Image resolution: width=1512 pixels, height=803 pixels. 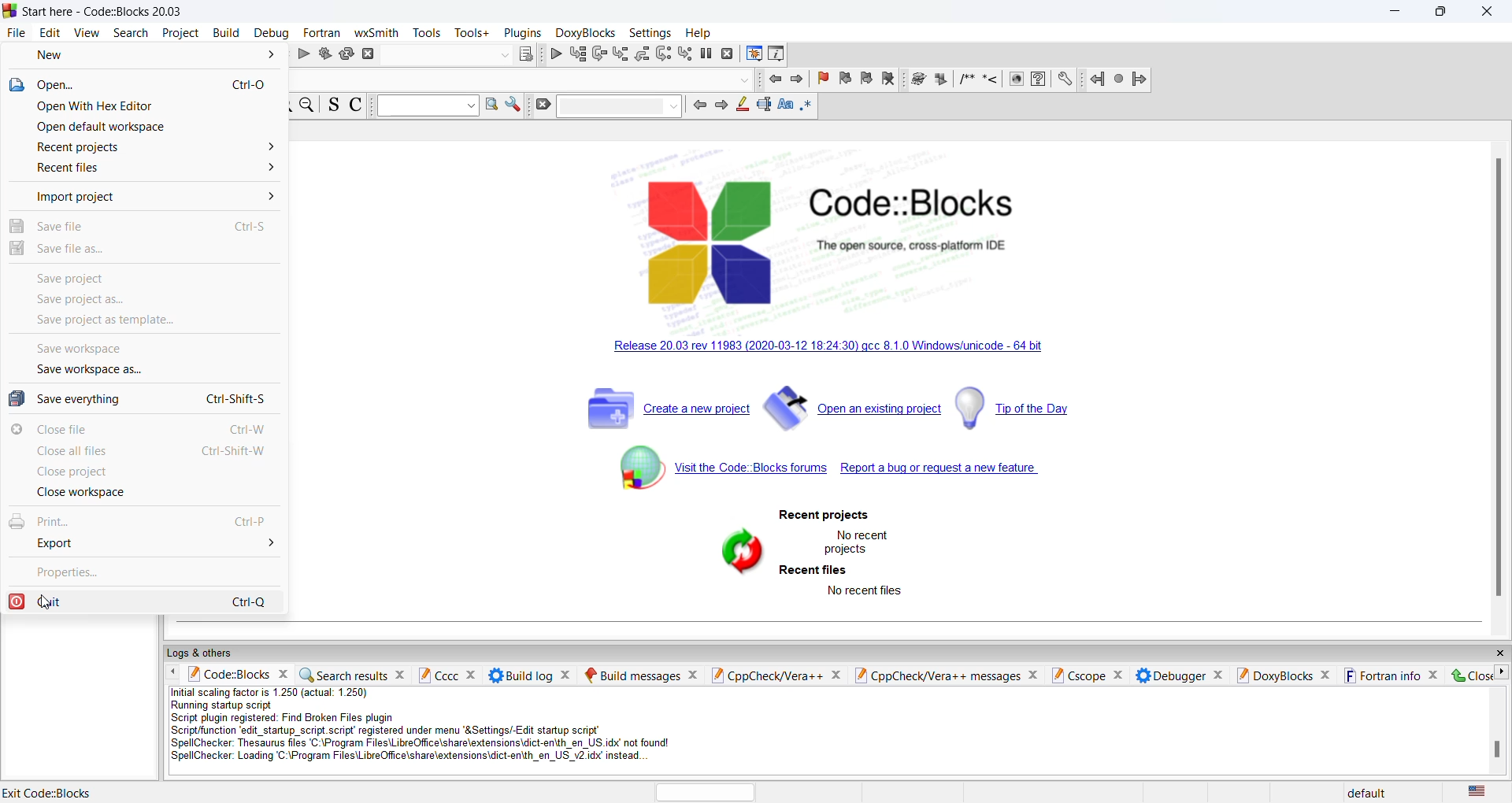 I want to click on build log pane, so click(x=530, y=674).